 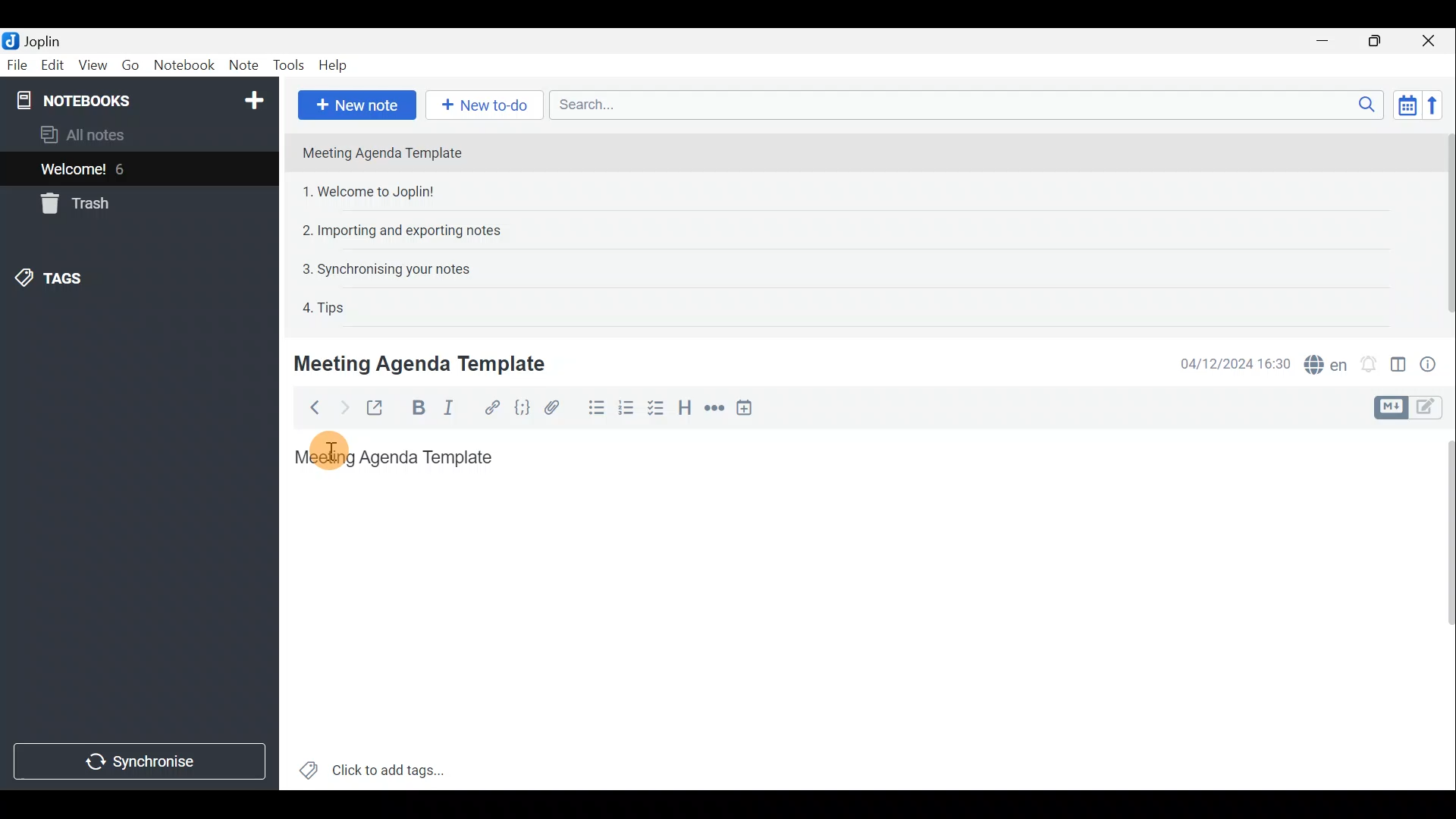 What do you see at coordinates (407, 231) in the screenshot?
I see `2. Importing and exporting notes` at bounding box center [407, 231].